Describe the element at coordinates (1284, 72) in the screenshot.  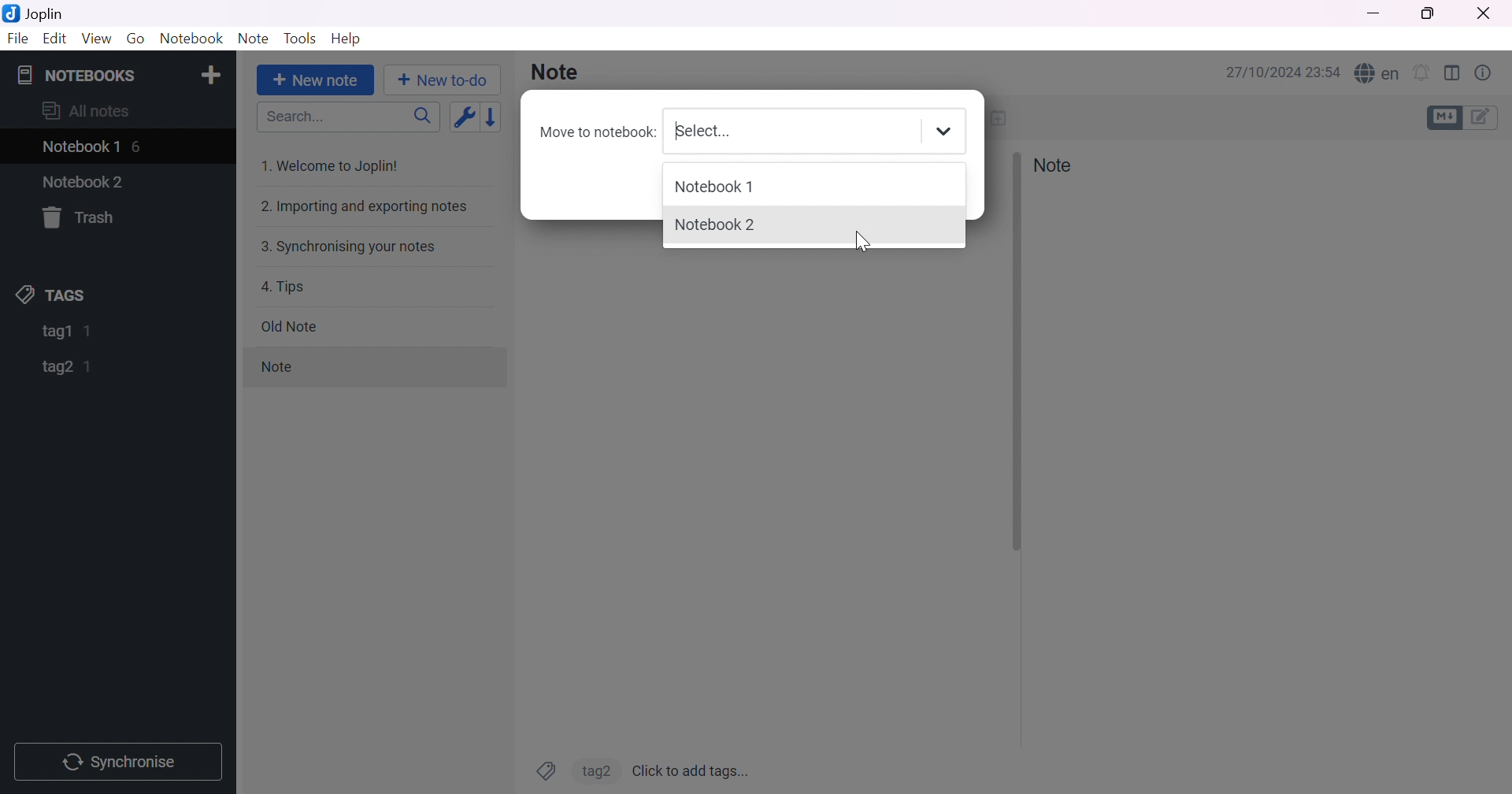
I see `27/10/2024 23:54` at that location.